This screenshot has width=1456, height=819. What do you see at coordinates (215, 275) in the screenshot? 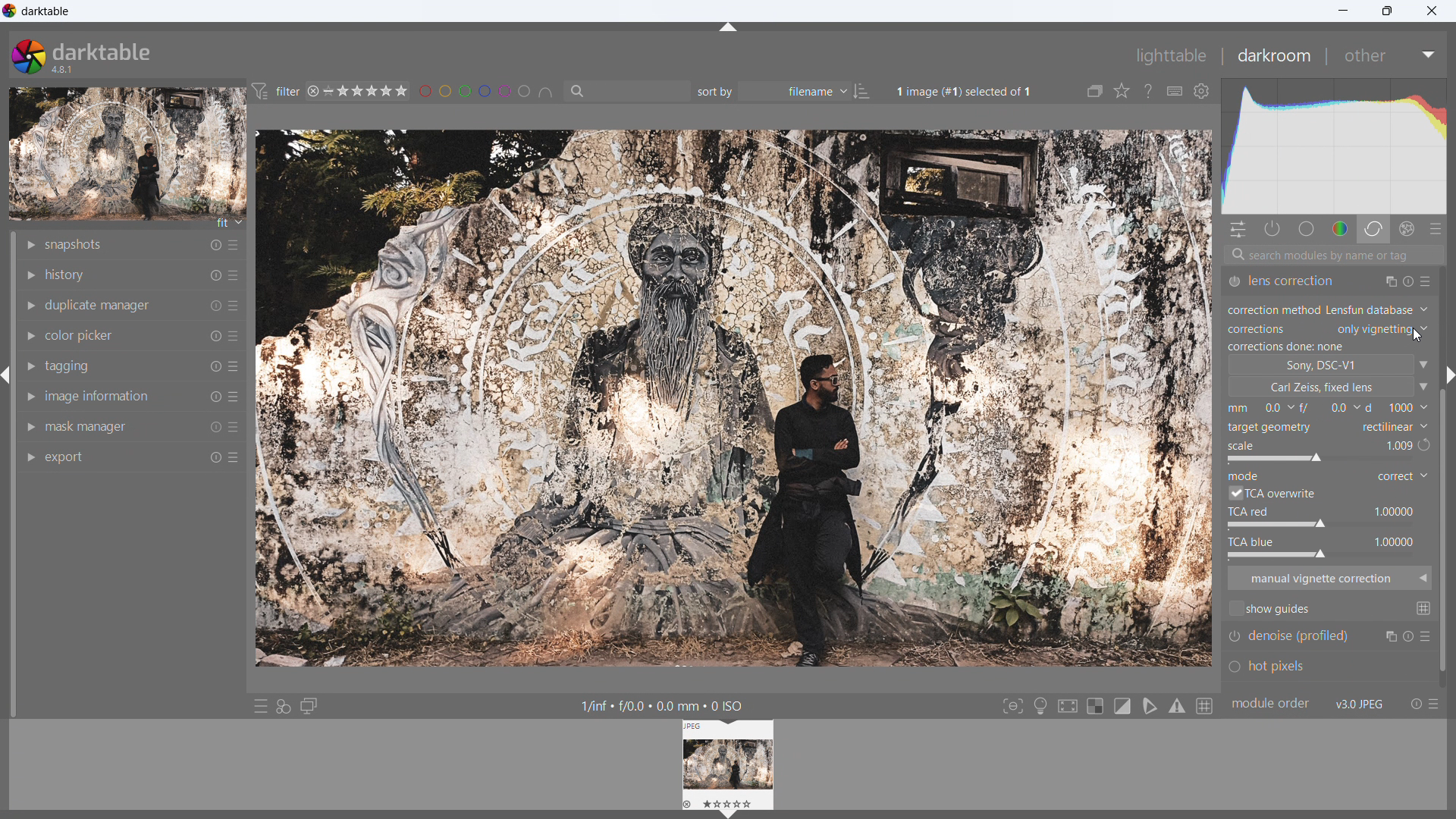
I see `reset` at bounding box center [215, 275].